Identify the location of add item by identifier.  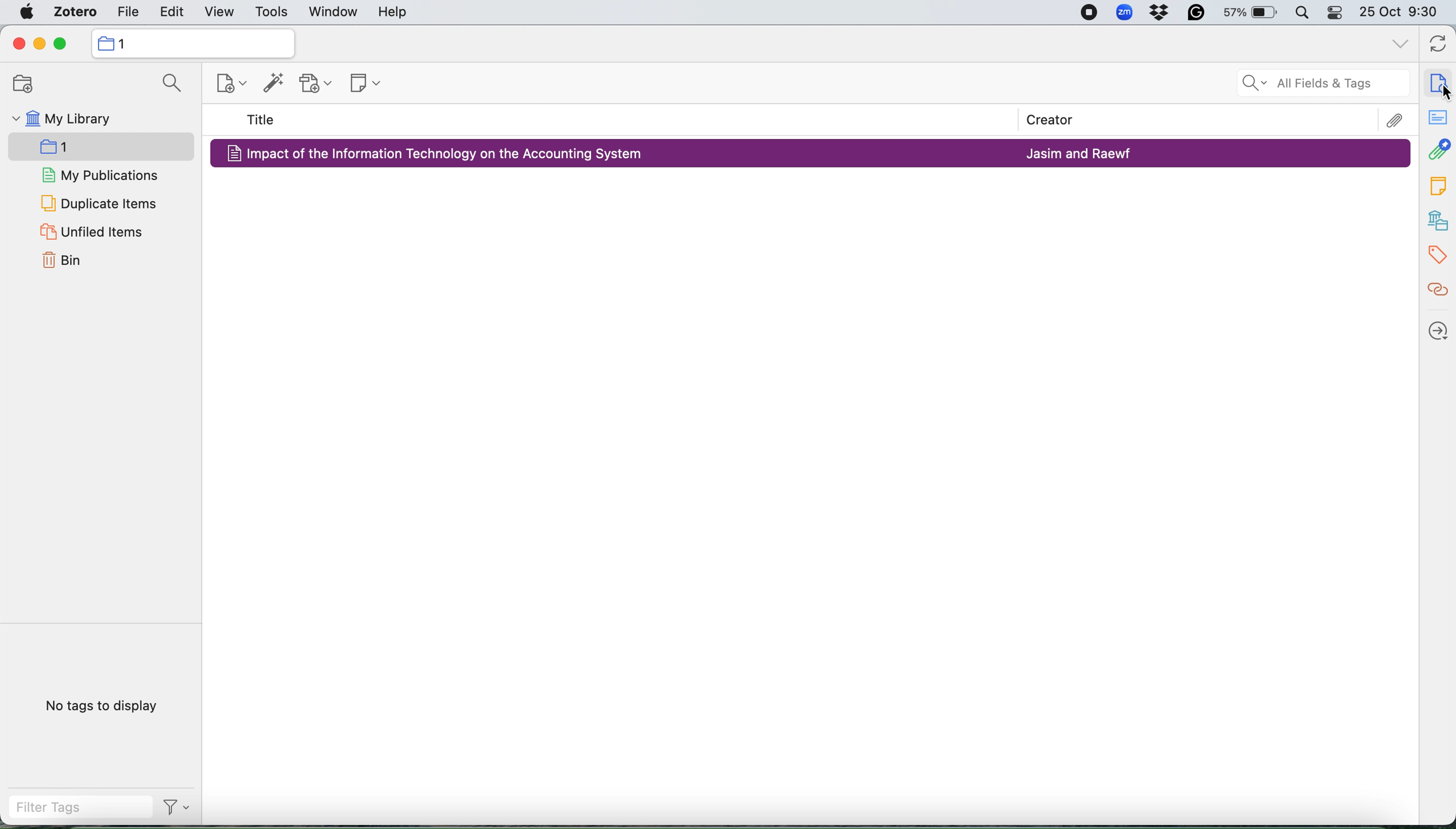
(273, 84).